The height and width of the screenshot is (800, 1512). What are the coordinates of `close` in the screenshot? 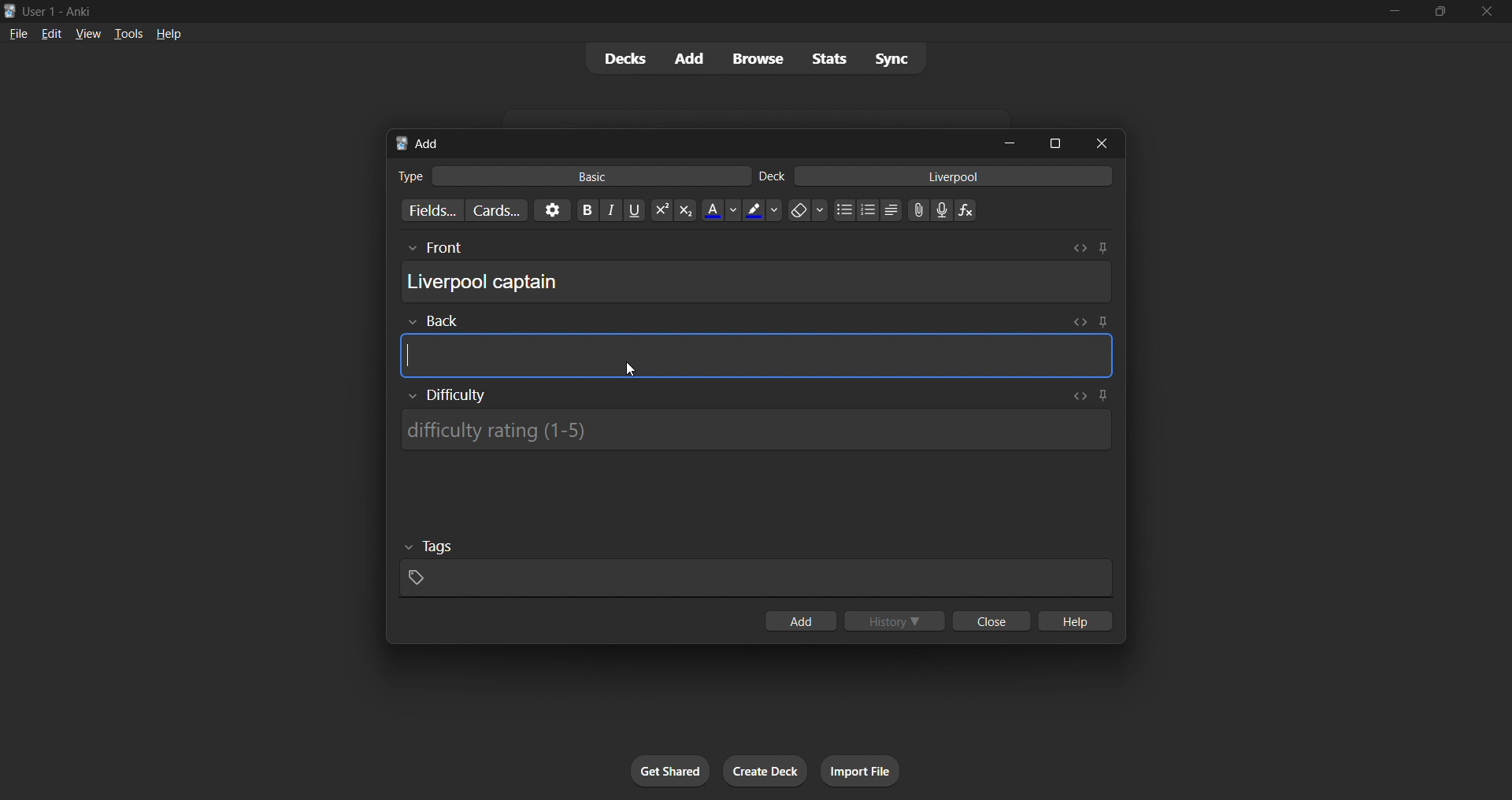 It's located at (1487, 12).